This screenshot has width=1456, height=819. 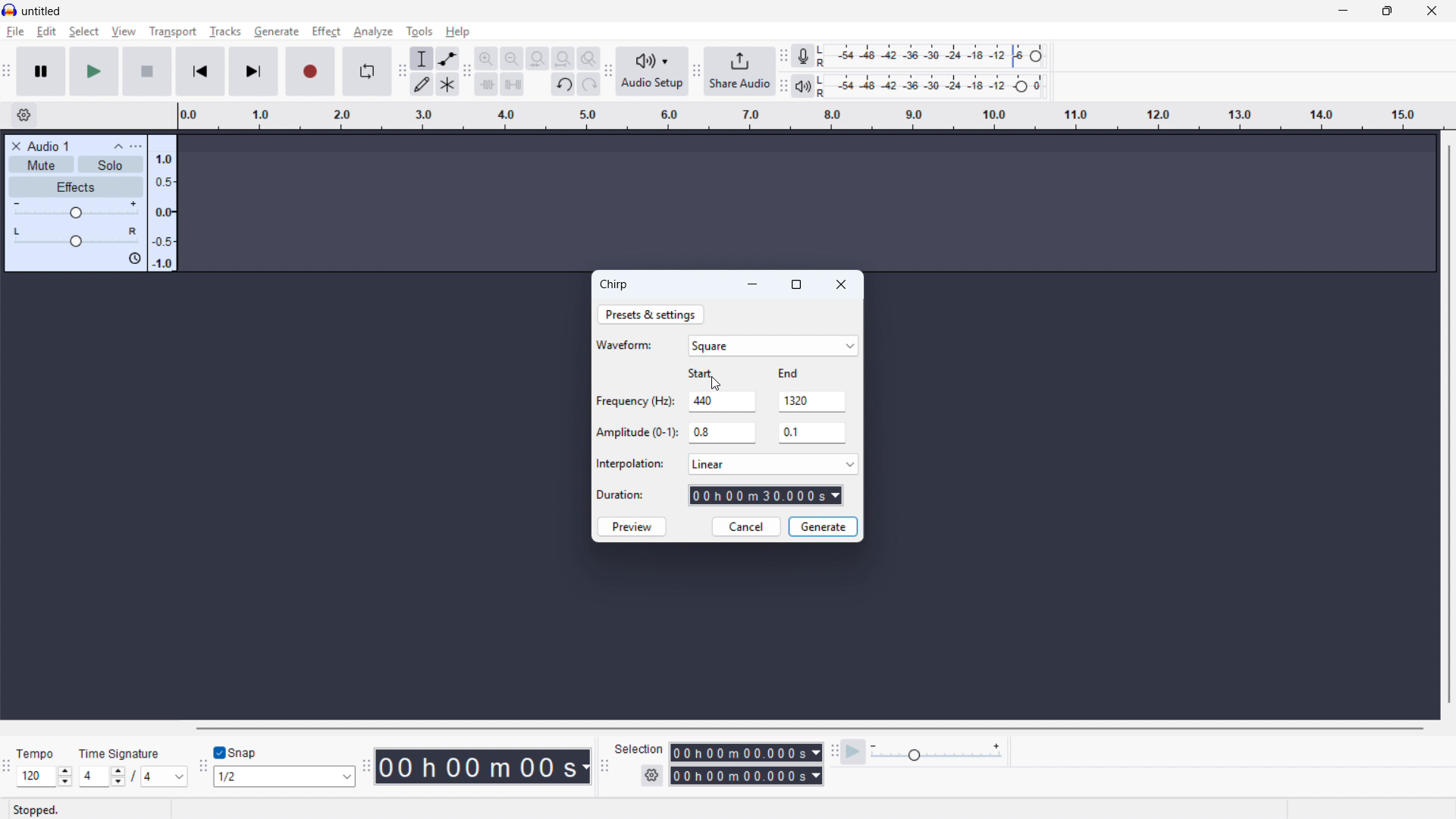 What do you see at coordinates (741, 71) in the screenshot?
I see `Share audio ` at bounding box center [741, 71].